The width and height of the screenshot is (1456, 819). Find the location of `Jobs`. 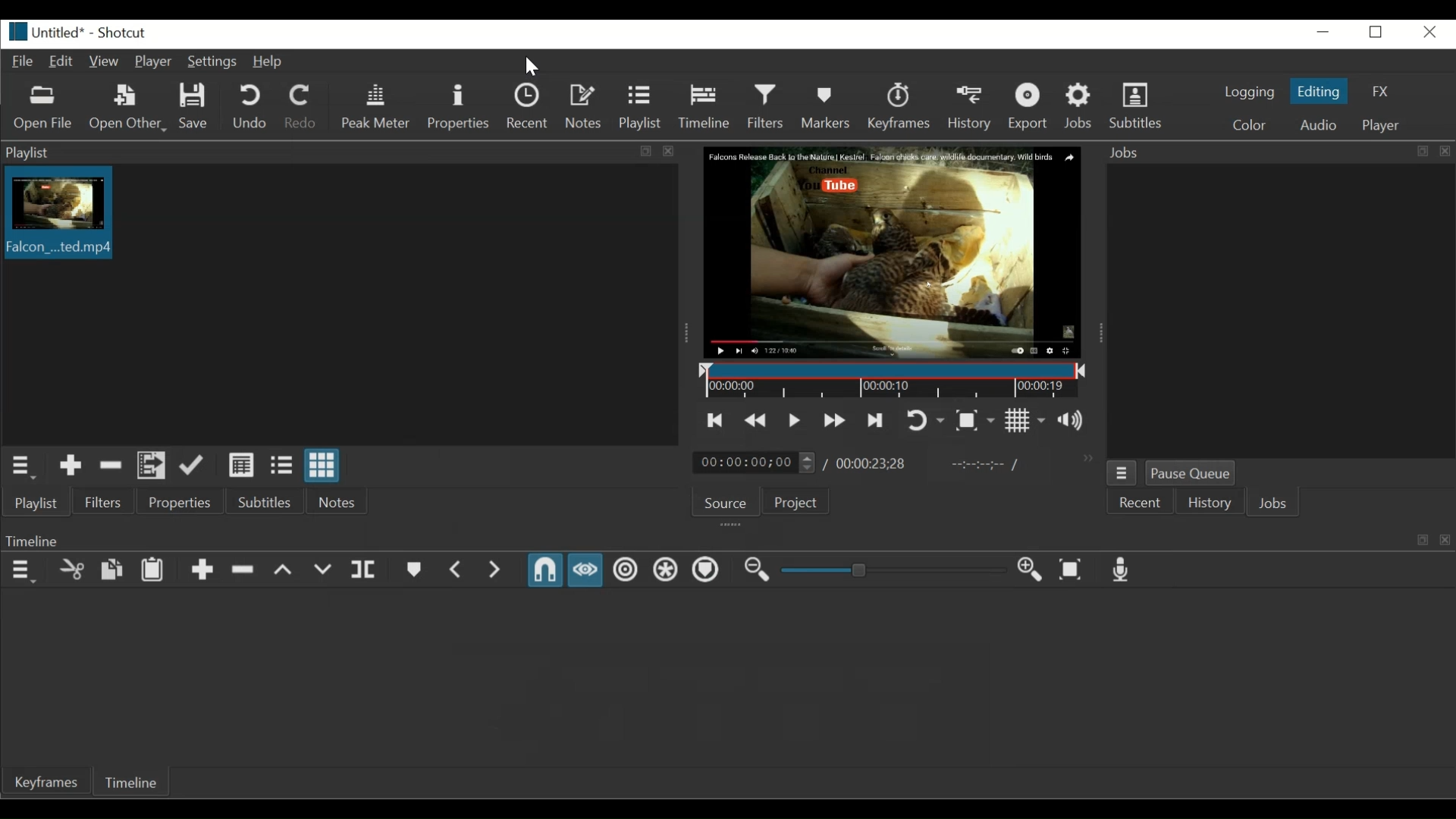

Jobs is located at coordinates (1273, 504).